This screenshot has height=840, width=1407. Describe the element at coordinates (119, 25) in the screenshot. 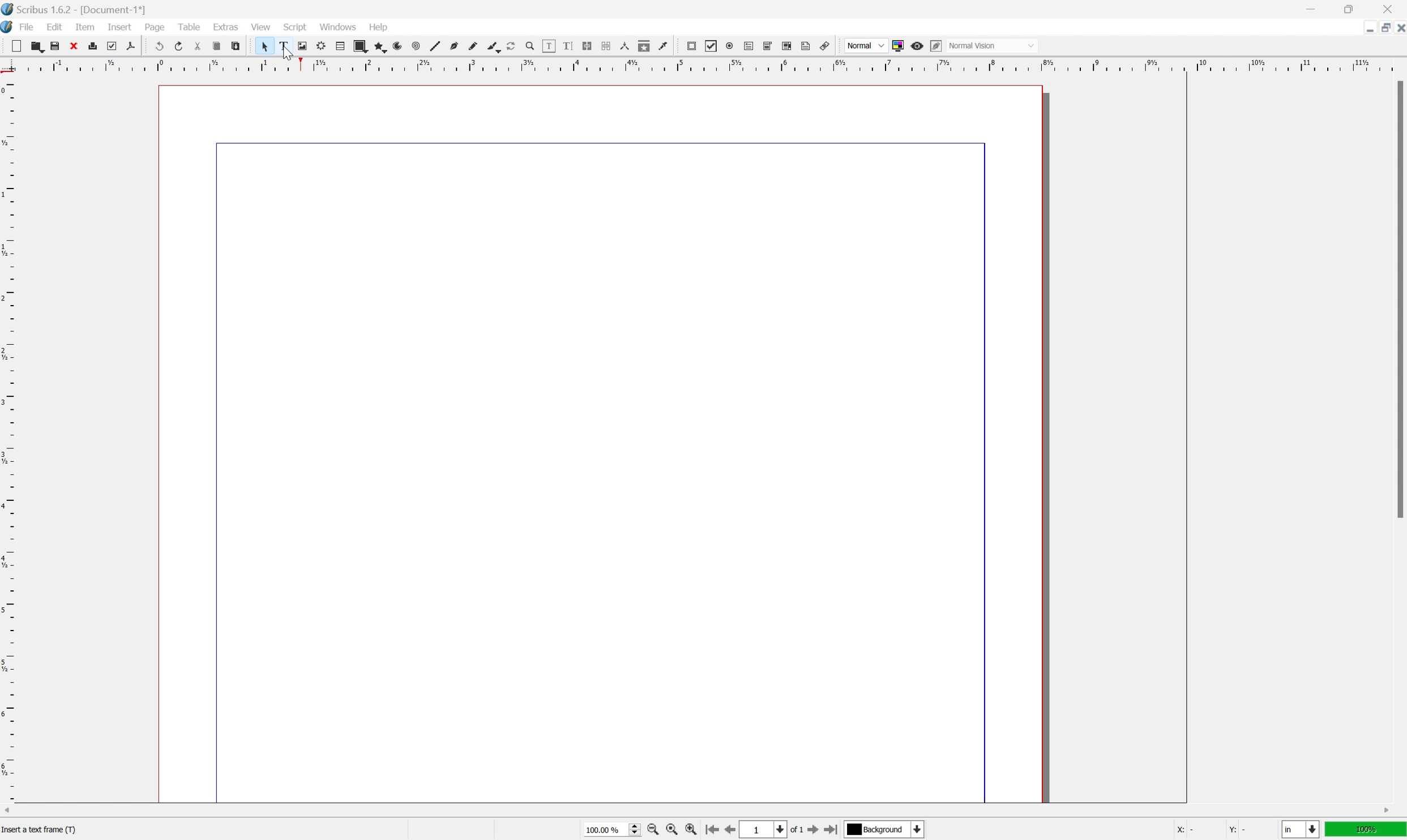

I see `insert` at that location.